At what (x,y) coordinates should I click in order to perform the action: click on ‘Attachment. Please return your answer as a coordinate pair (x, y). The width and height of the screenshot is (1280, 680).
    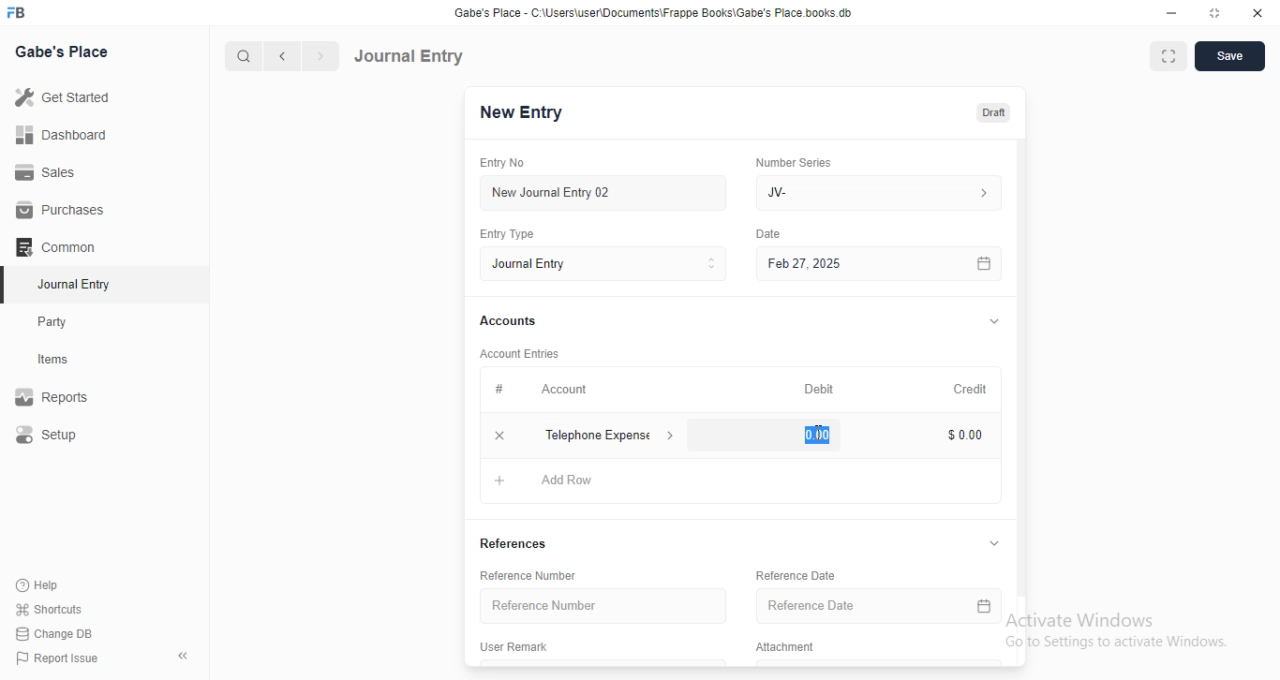
    Looking at the image, I should click on (783, 646).